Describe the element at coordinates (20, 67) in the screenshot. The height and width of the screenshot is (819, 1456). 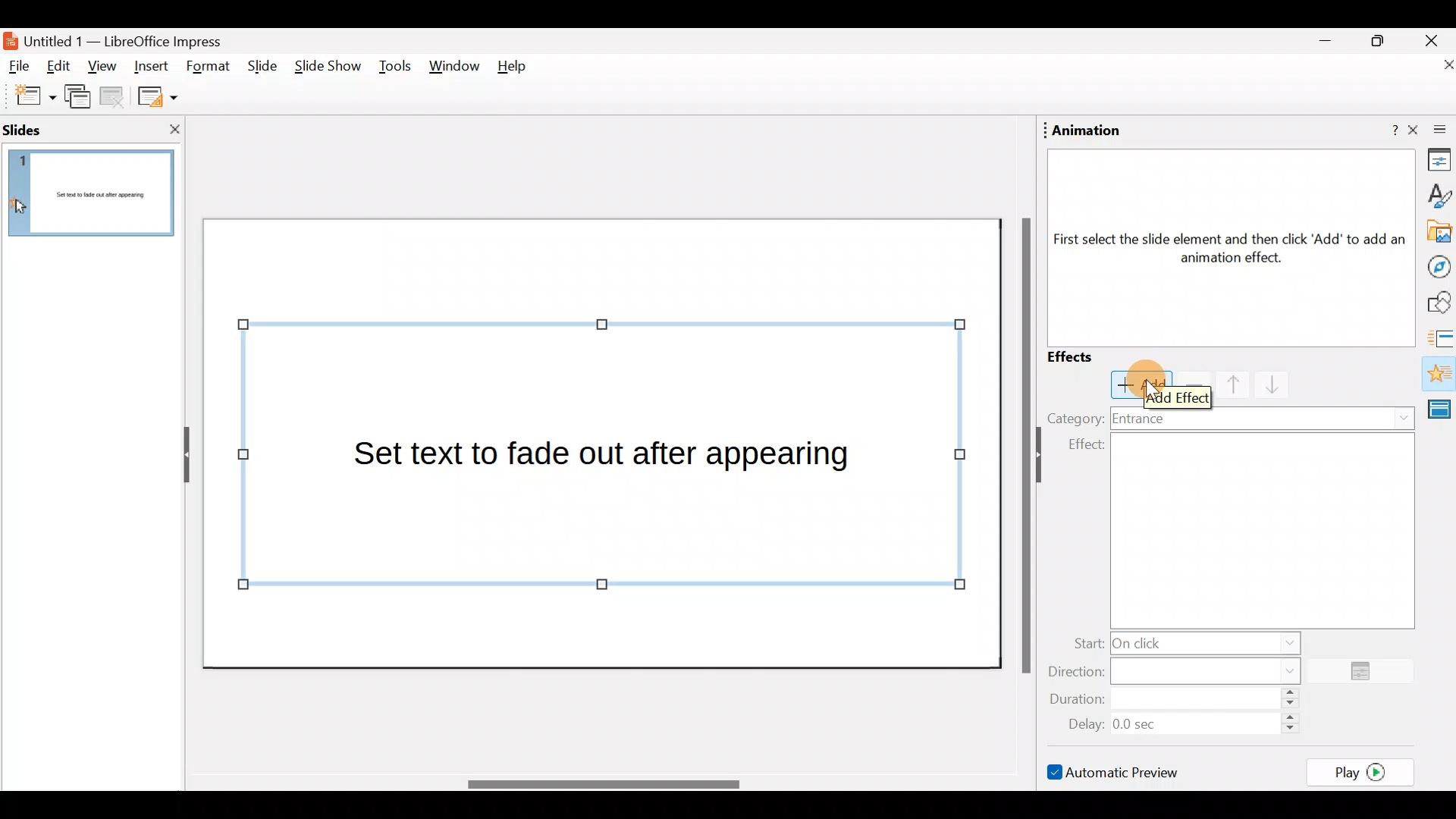
I see `File` at that location.